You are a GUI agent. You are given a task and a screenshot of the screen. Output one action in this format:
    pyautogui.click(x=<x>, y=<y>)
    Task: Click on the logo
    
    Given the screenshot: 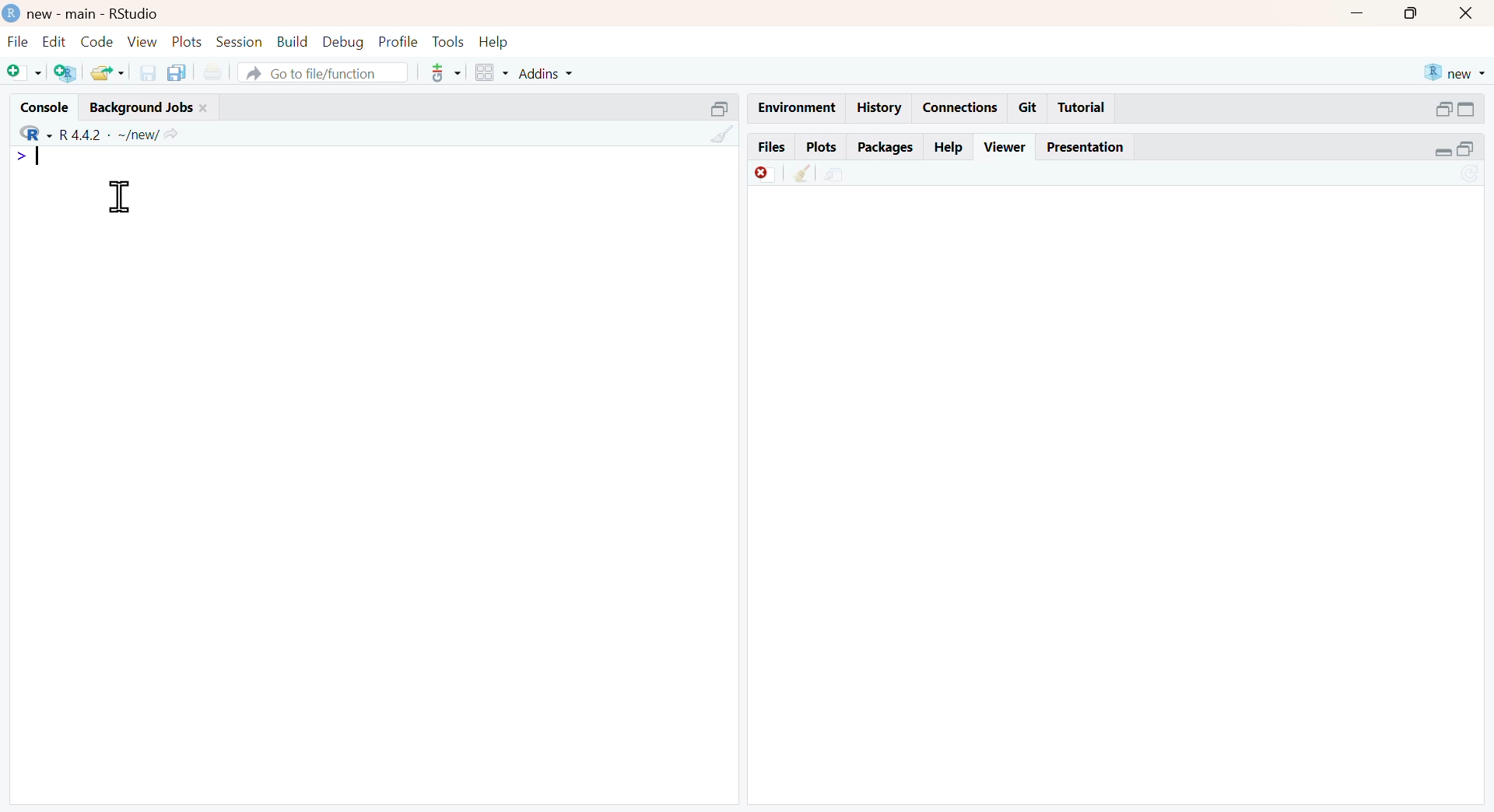 What is the action you would take?
    pyautogui.click(x=11, y=12)
    